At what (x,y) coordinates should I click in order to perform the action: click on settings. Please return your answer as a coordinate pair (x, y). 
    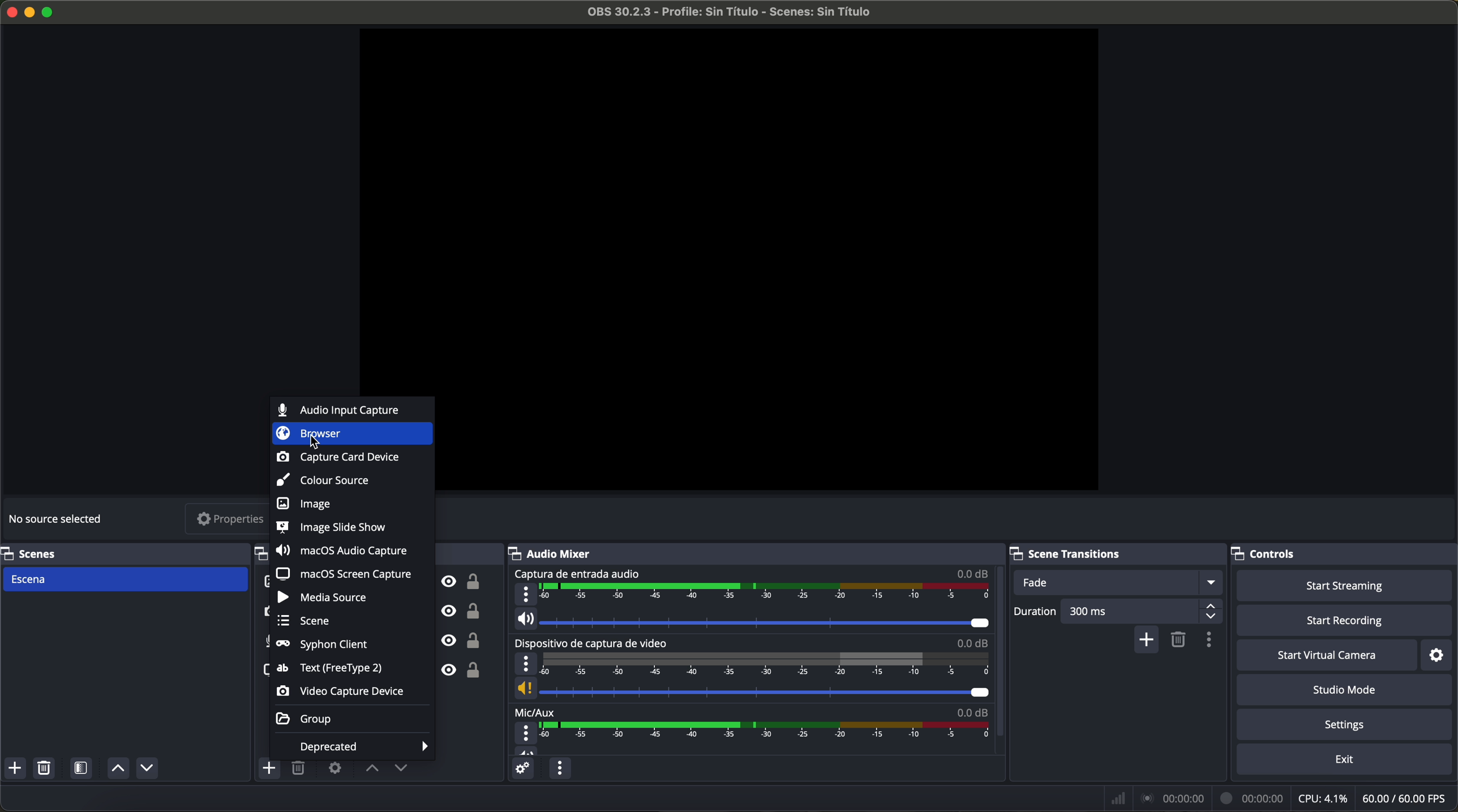
    Looking at the image, I should click on (1439, 656).